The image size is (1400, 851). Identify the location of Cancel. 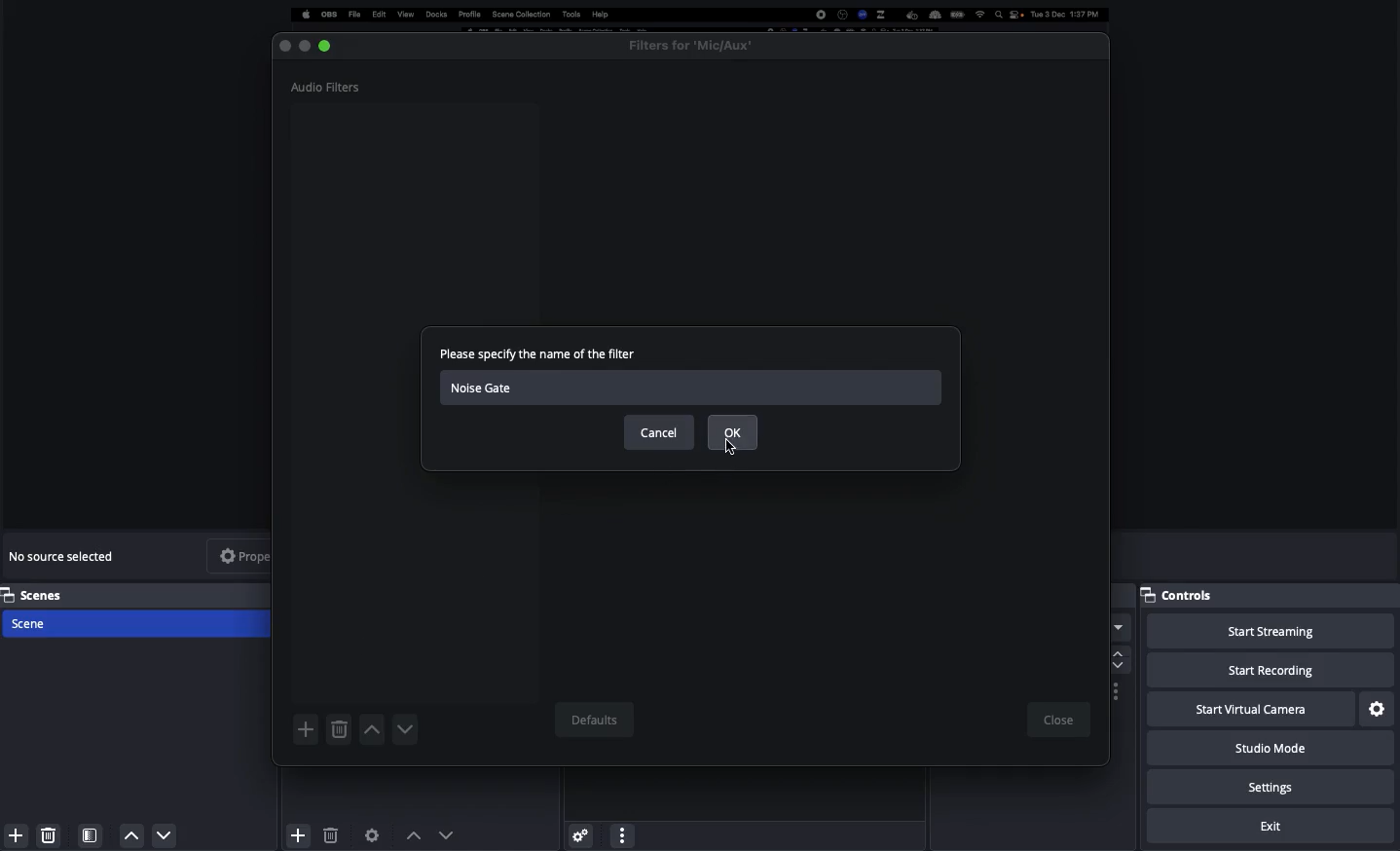
(660, 432).